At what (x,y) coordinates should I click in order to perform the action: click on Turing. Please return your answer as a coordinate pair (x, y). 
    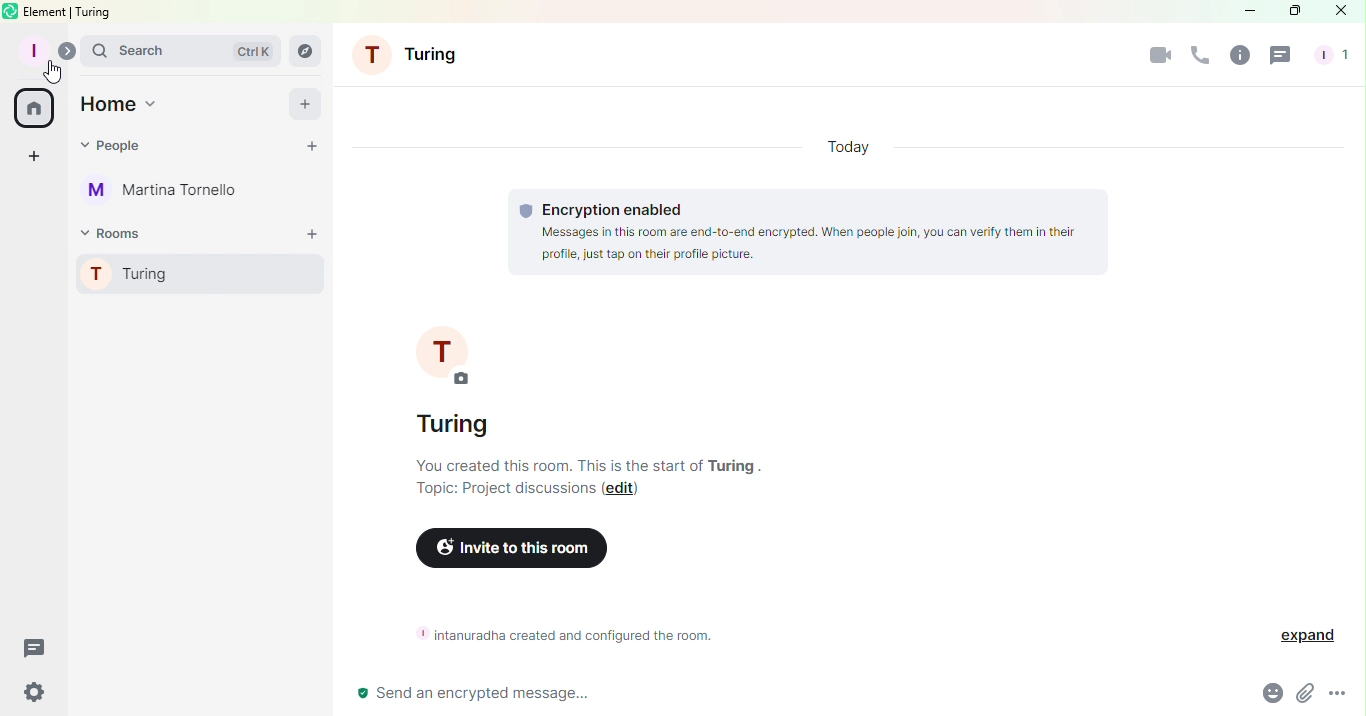
    Looking at the image, I should click on (192, 271).